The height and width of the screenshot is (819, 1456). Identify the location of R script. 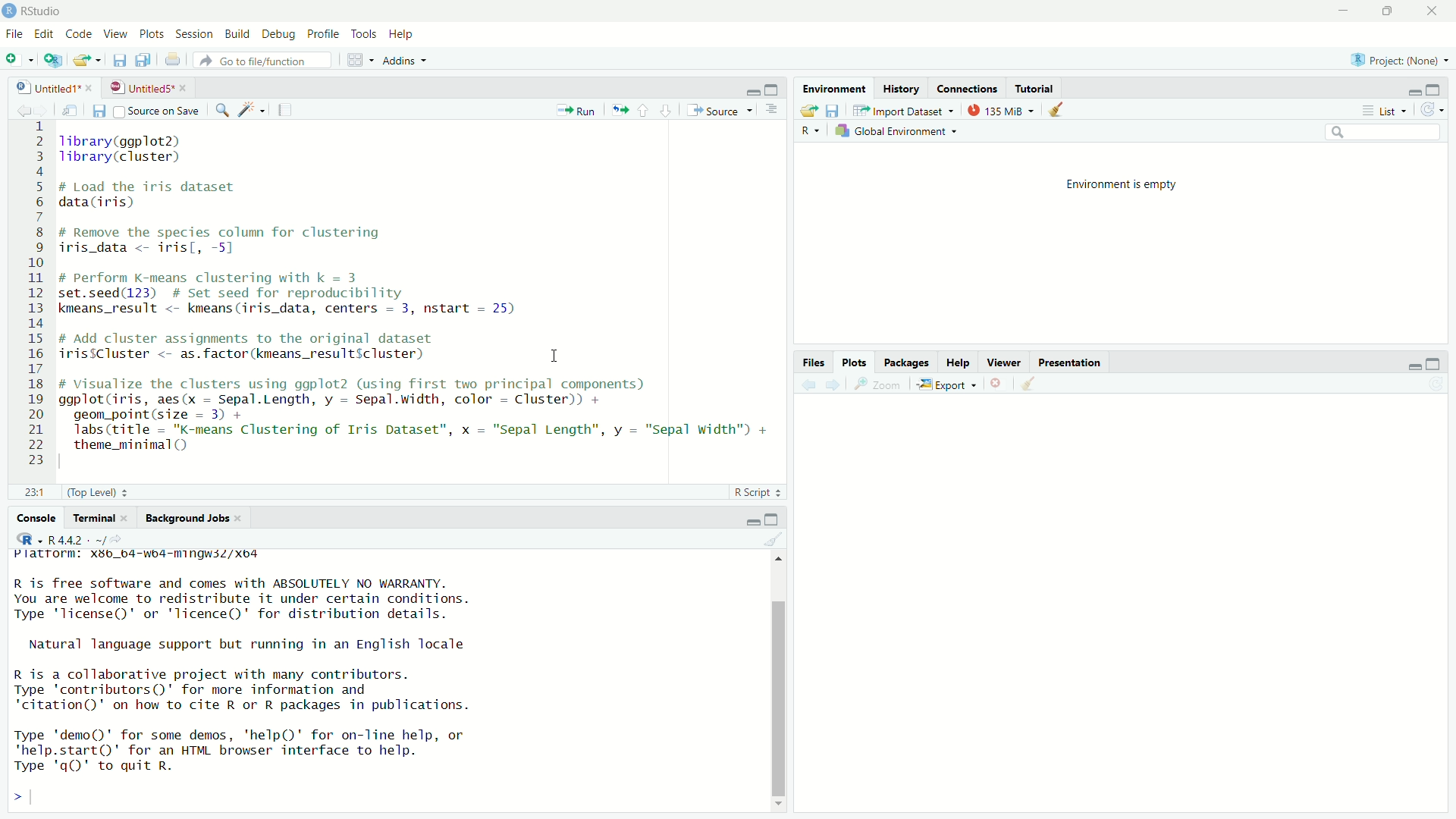
(757, 490).